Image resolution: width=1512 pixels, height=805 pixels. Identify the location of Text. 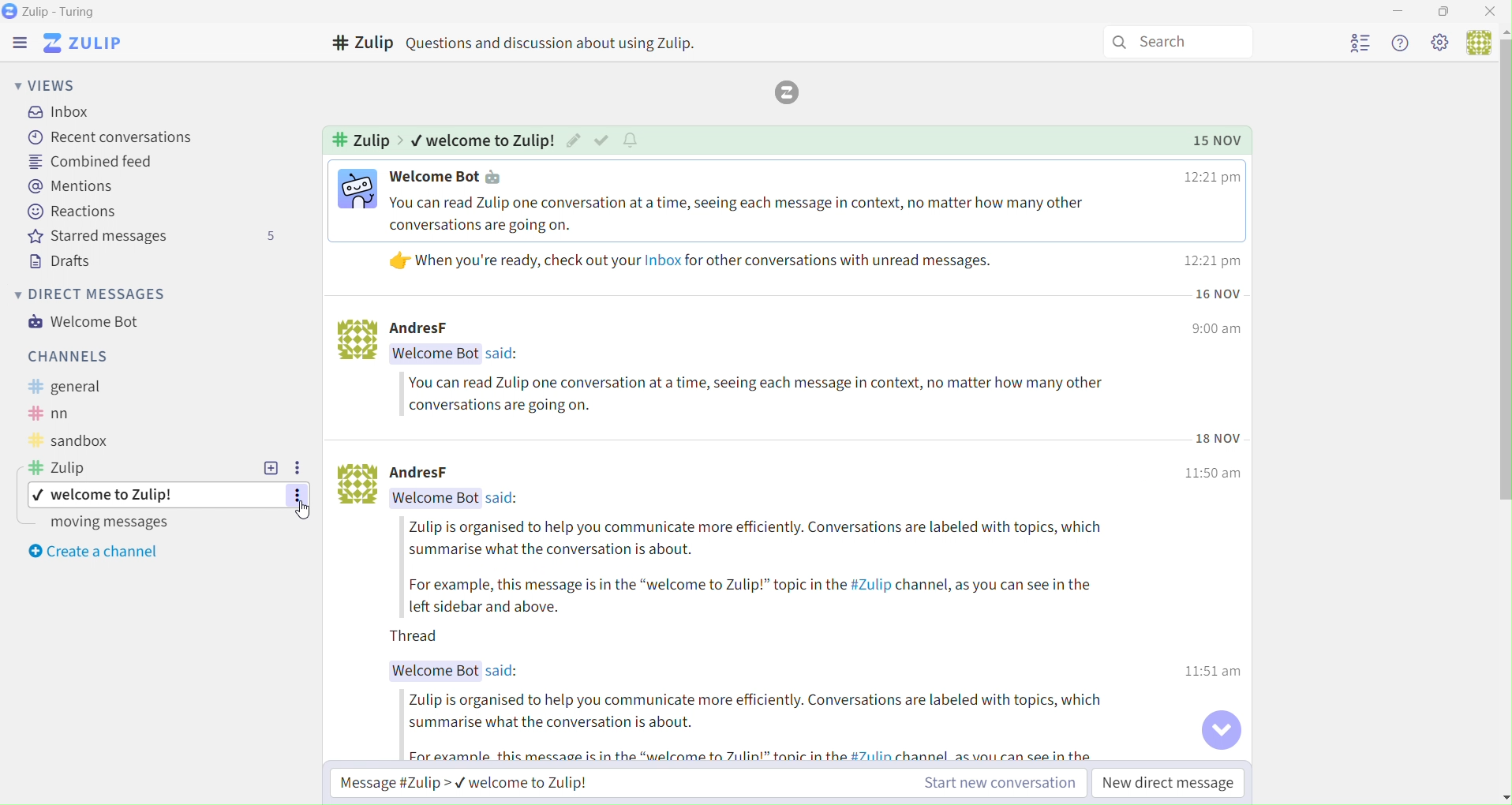
(360, 140).